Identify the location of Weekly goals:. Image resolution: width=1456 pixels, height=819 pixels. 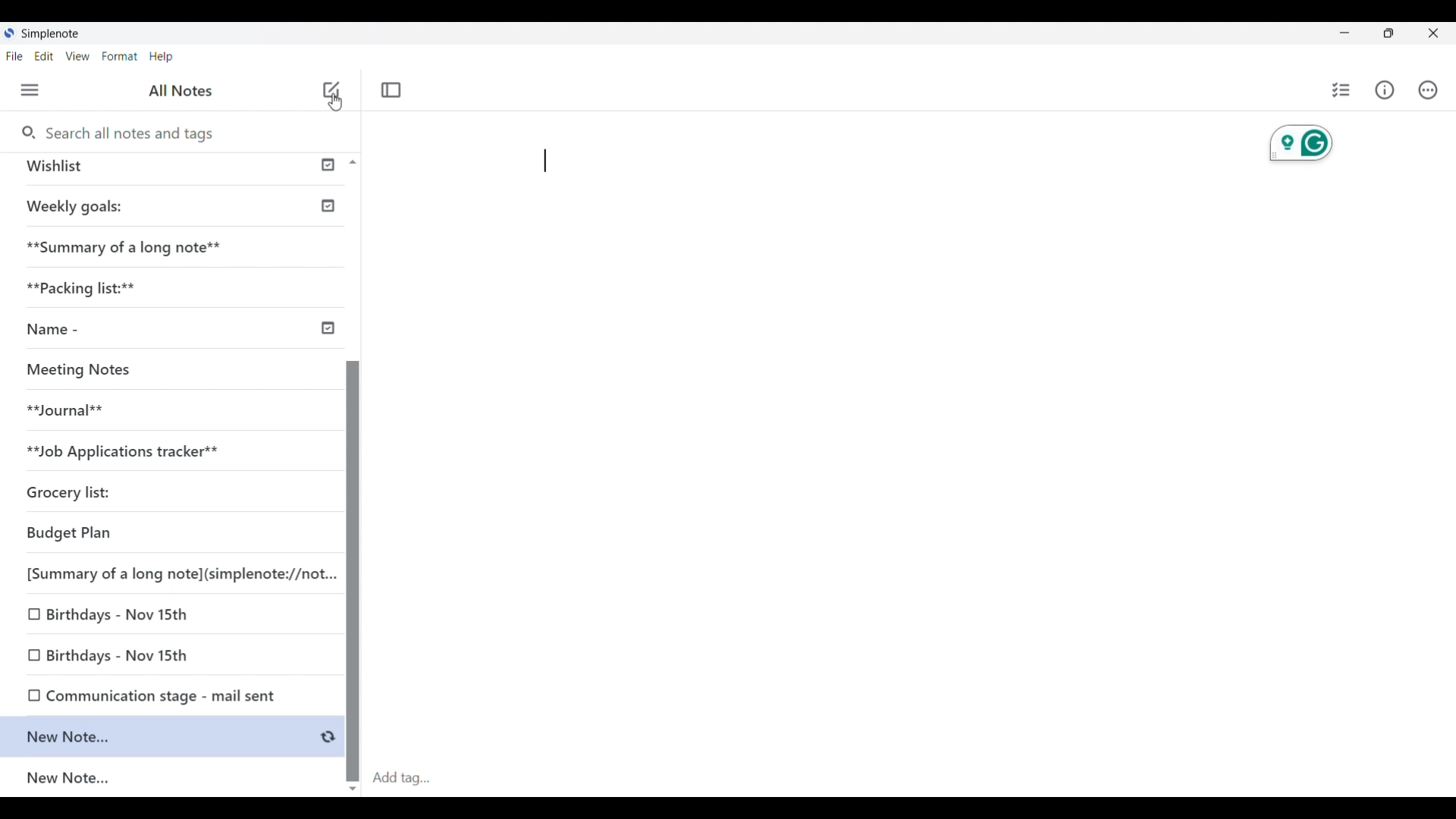
(83, 206).